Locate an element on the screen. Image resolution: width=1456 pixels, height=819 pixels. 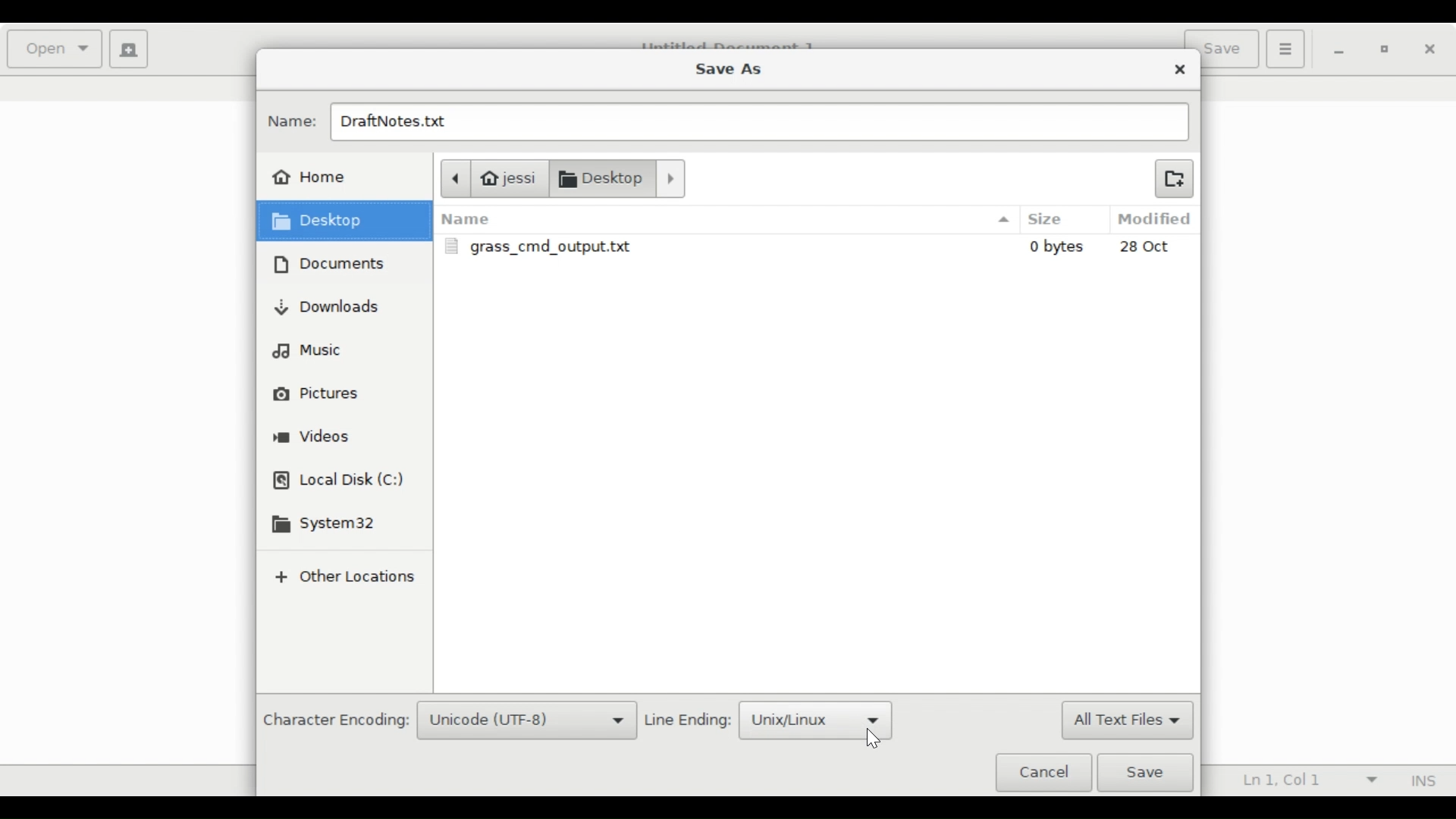
Name is located at coordinates (293, 121).